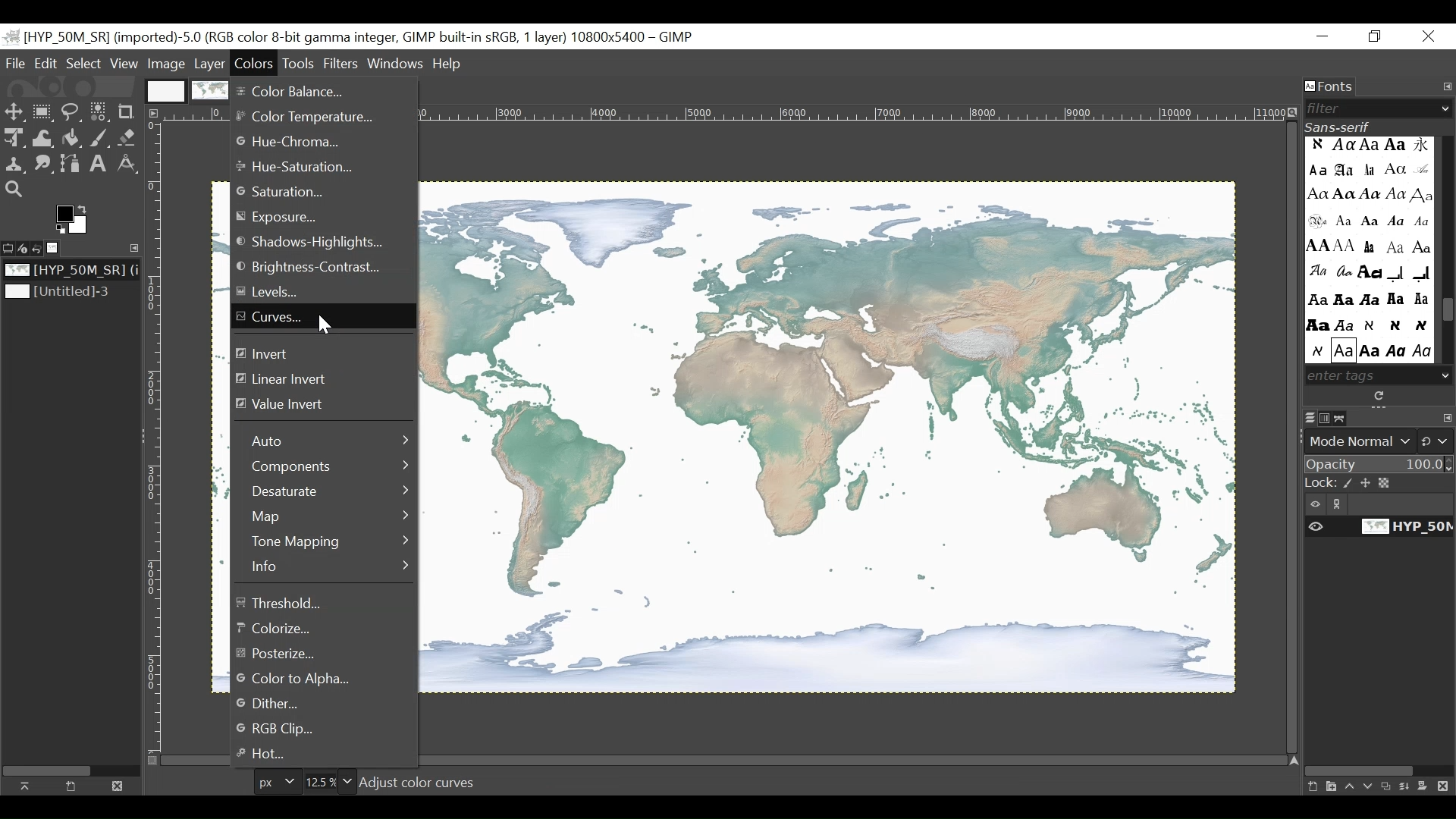 The width and height of the screenshot is (1456, 819). I want to click on Shadows Highlights, so click(316, 244).